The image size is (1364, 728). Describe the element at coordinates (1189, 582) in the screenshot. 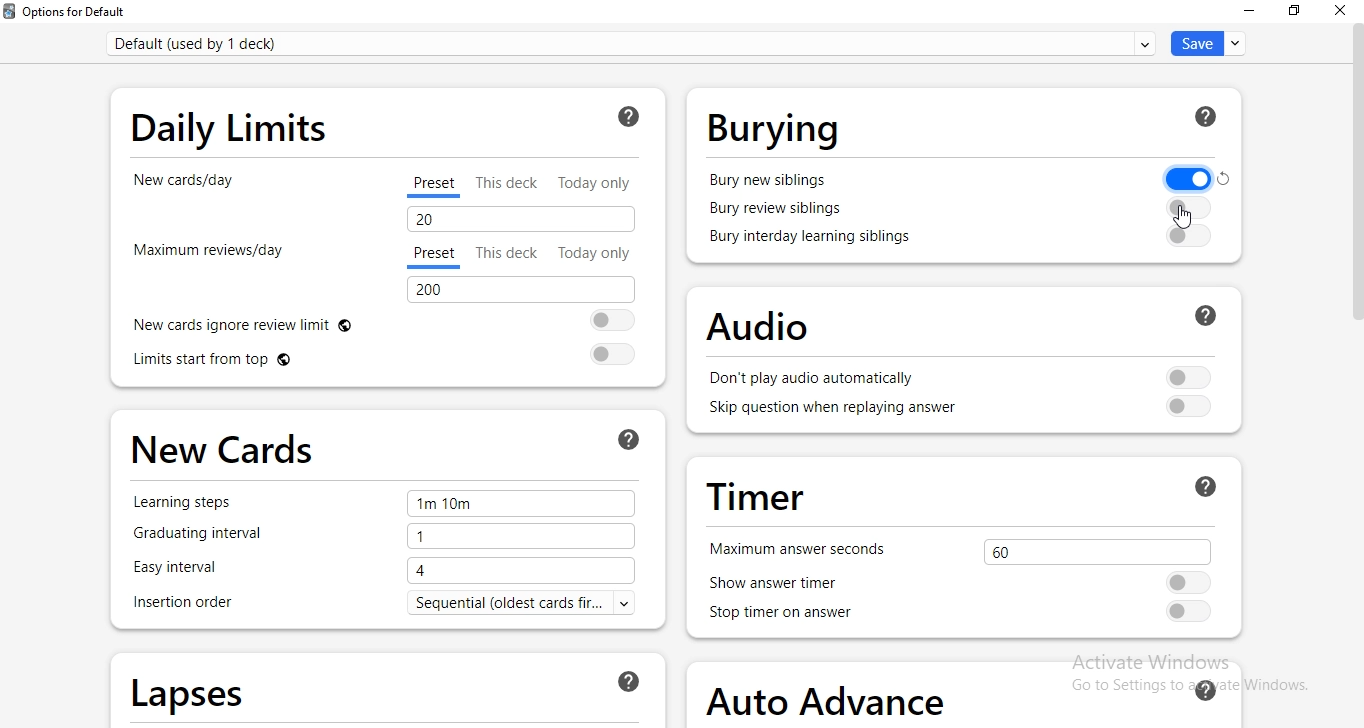

I see `Toggle` at that location.